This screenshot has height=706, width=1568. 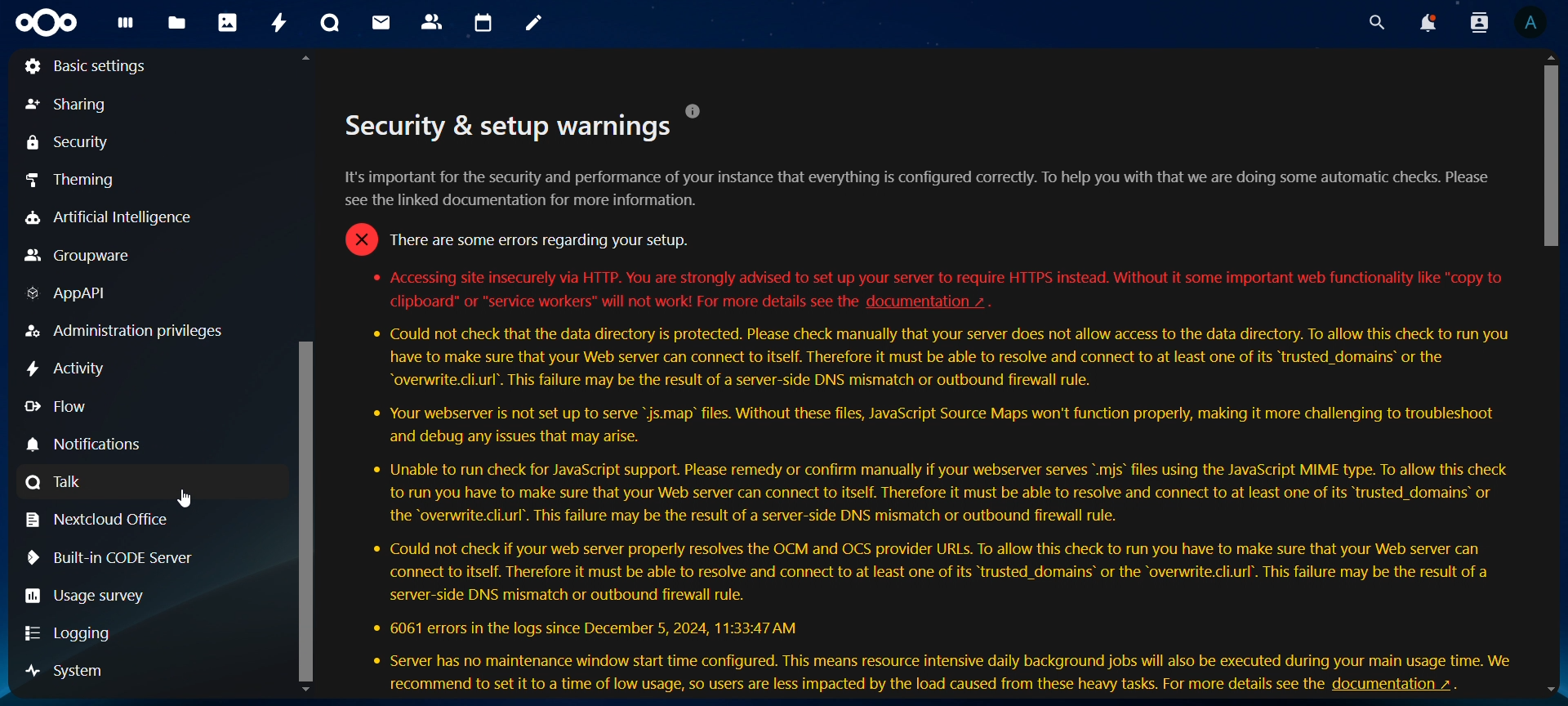 What do you see at coordinates (1402, 686) in the screenshot?
I see `documentation` at bounding box center [1402, 686].